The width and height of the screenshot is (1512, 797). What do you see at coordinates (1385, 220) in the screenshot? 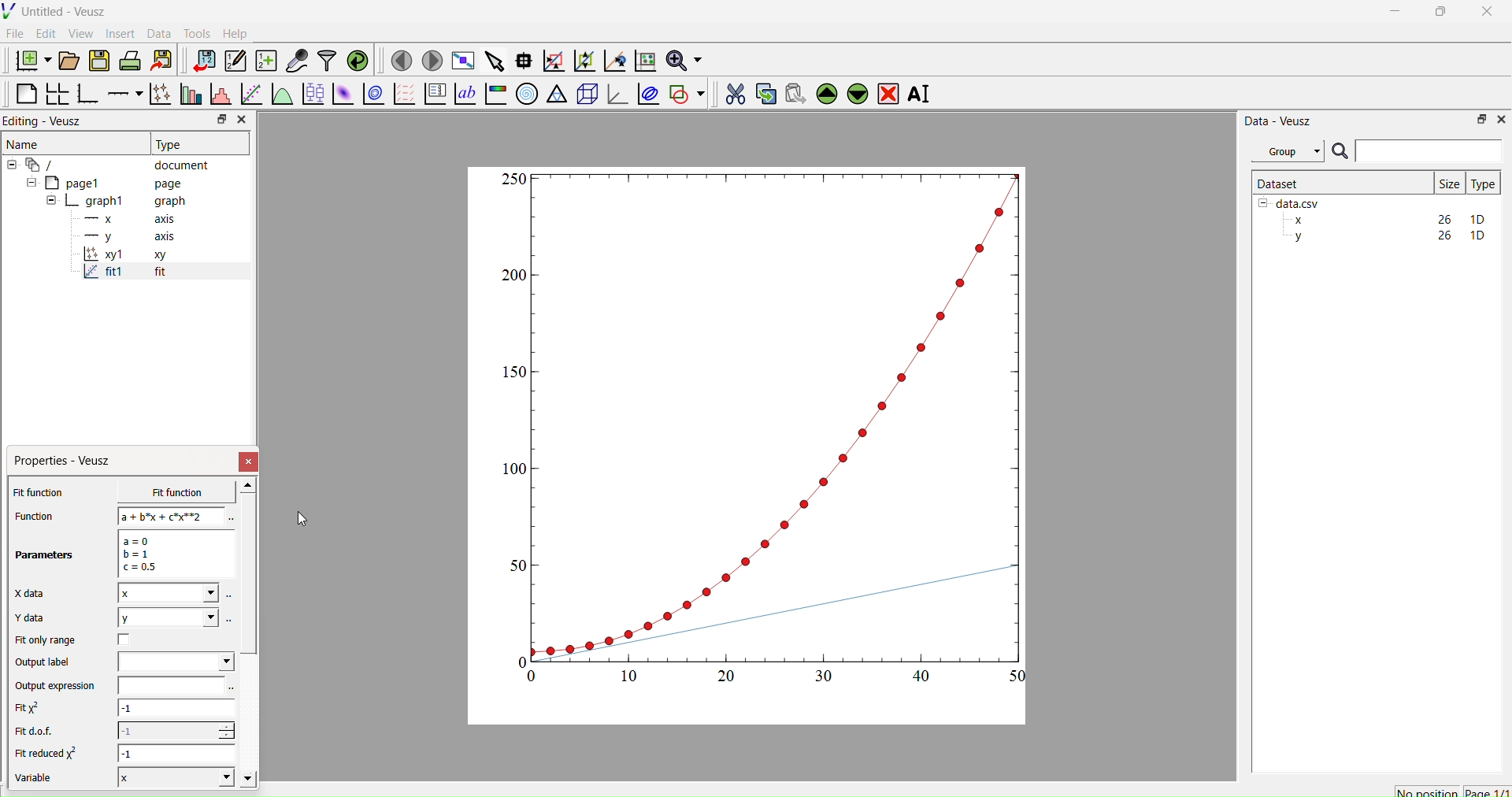
I see `x 26 1D` at bounding box center [1385, 220].